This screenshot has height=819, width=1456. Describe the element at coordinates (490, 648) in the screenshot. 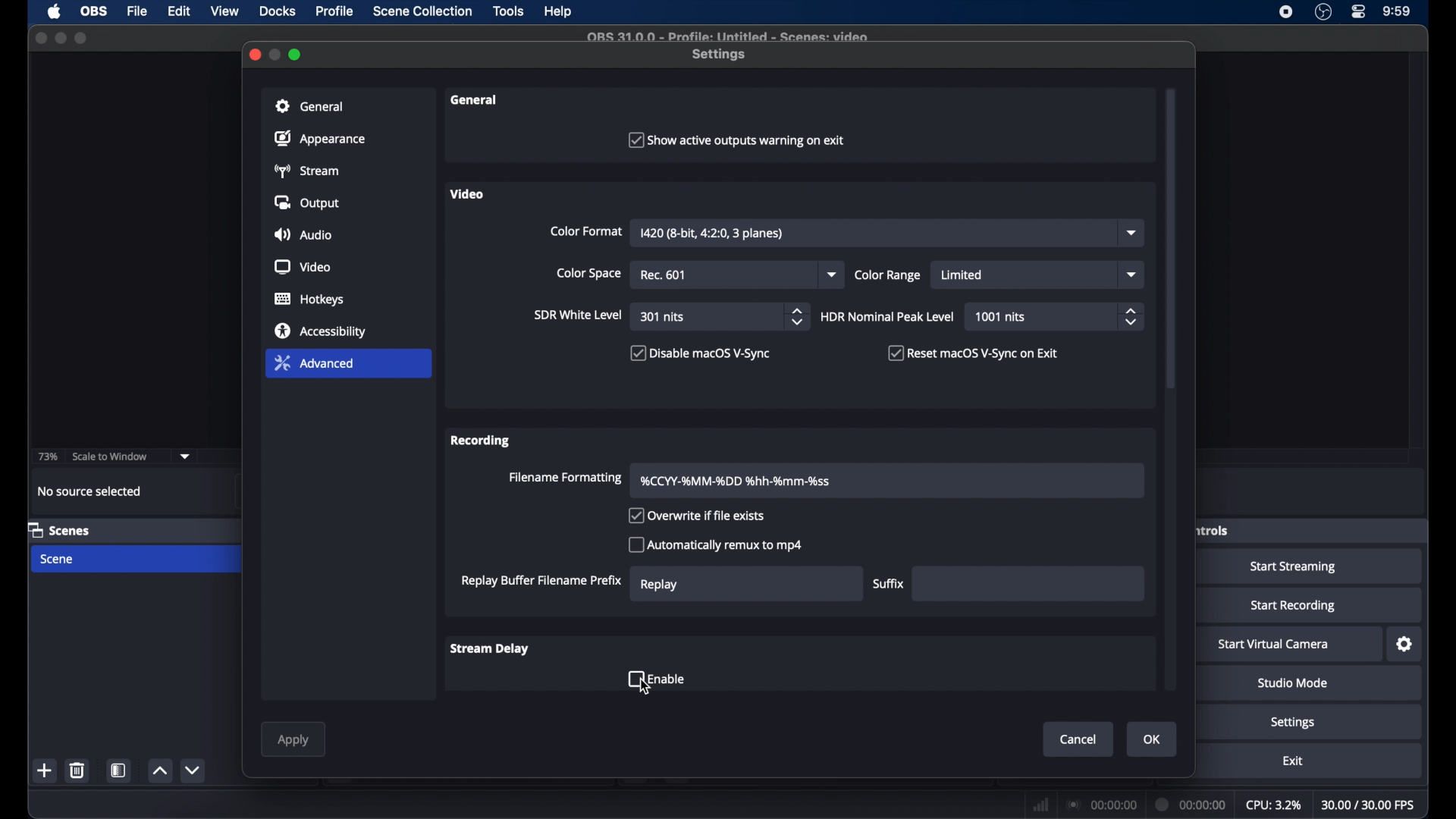

I see `stream delay` at that location.